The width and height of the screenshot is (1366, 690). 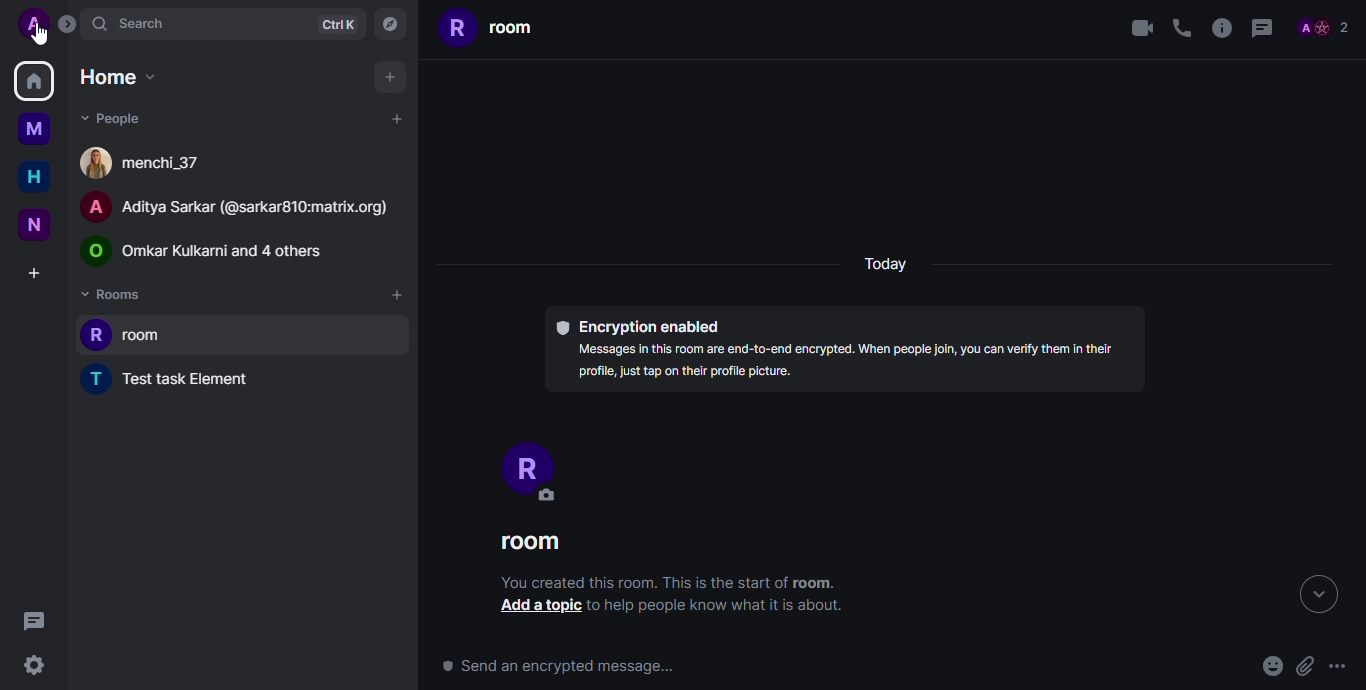 What do you see at coordinates (1263, 29) in the screenshot?
I see `threads` at bounding box center [1263, 29].